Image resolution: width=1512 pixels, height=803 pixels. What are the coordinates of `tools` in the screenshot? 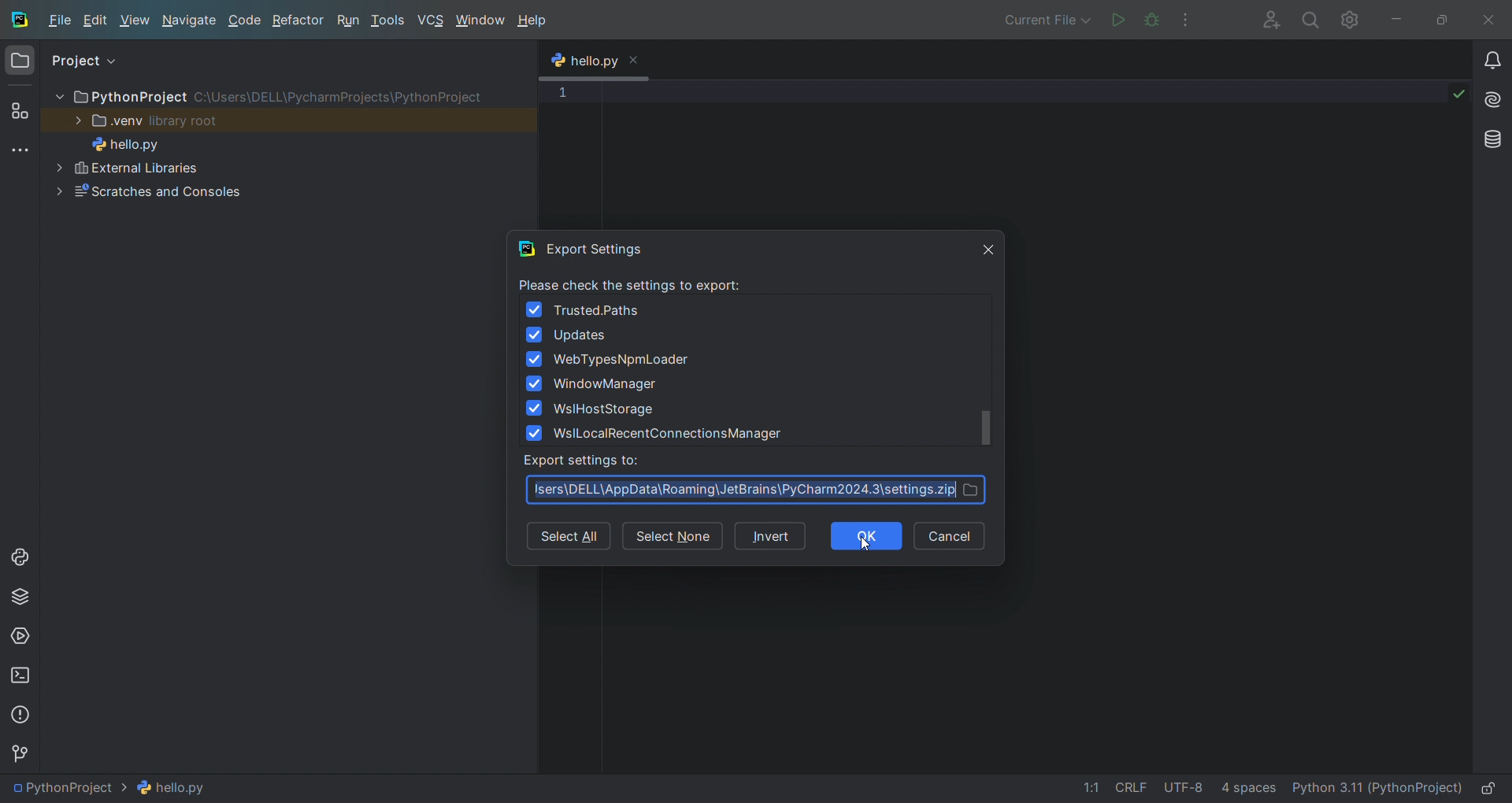 It's located at (389, 22).